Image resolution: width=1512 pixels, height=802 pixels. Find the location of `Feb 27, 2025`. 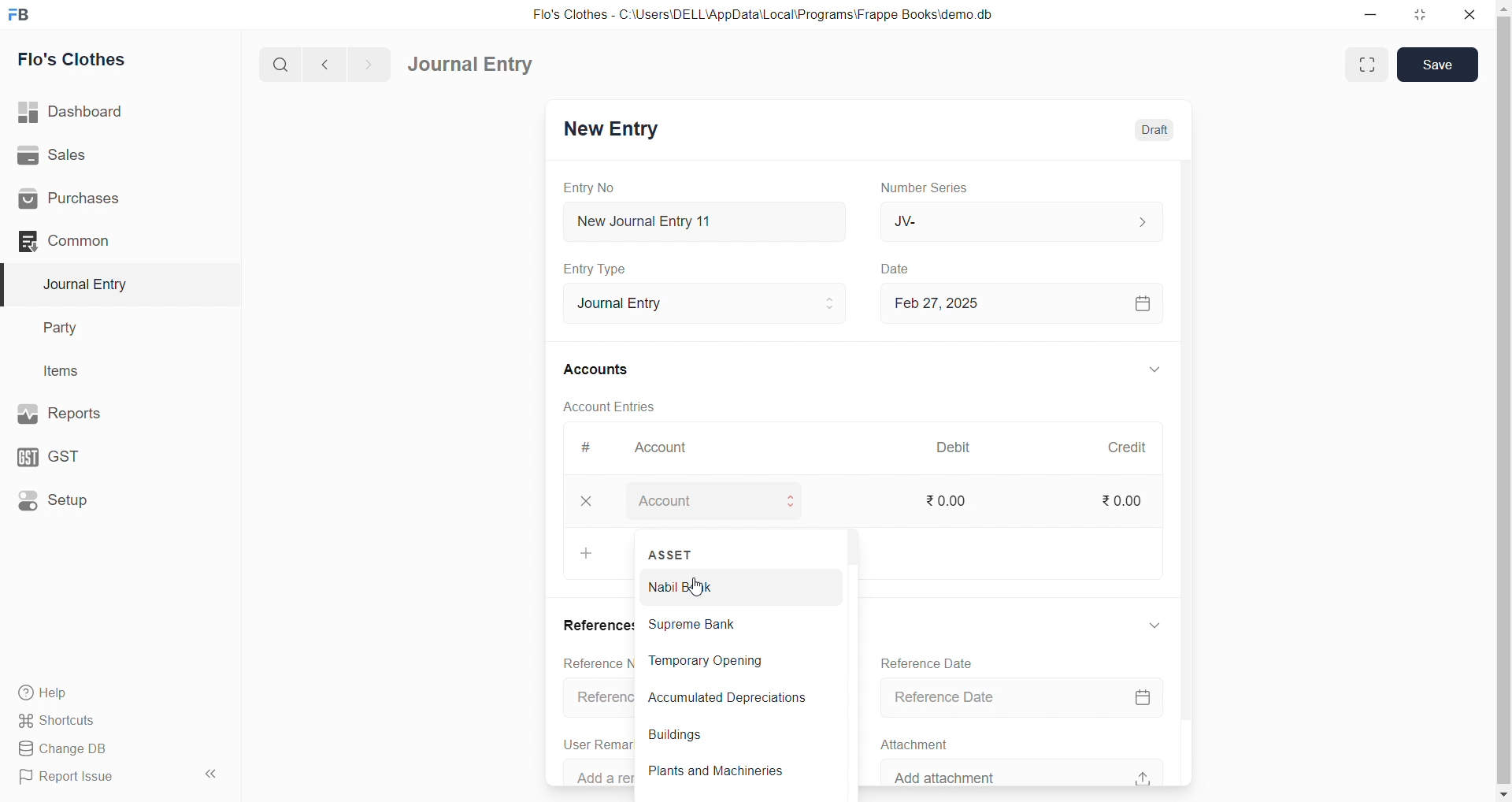

Feb 27, 2025 is located at coordinates (1028, 303).